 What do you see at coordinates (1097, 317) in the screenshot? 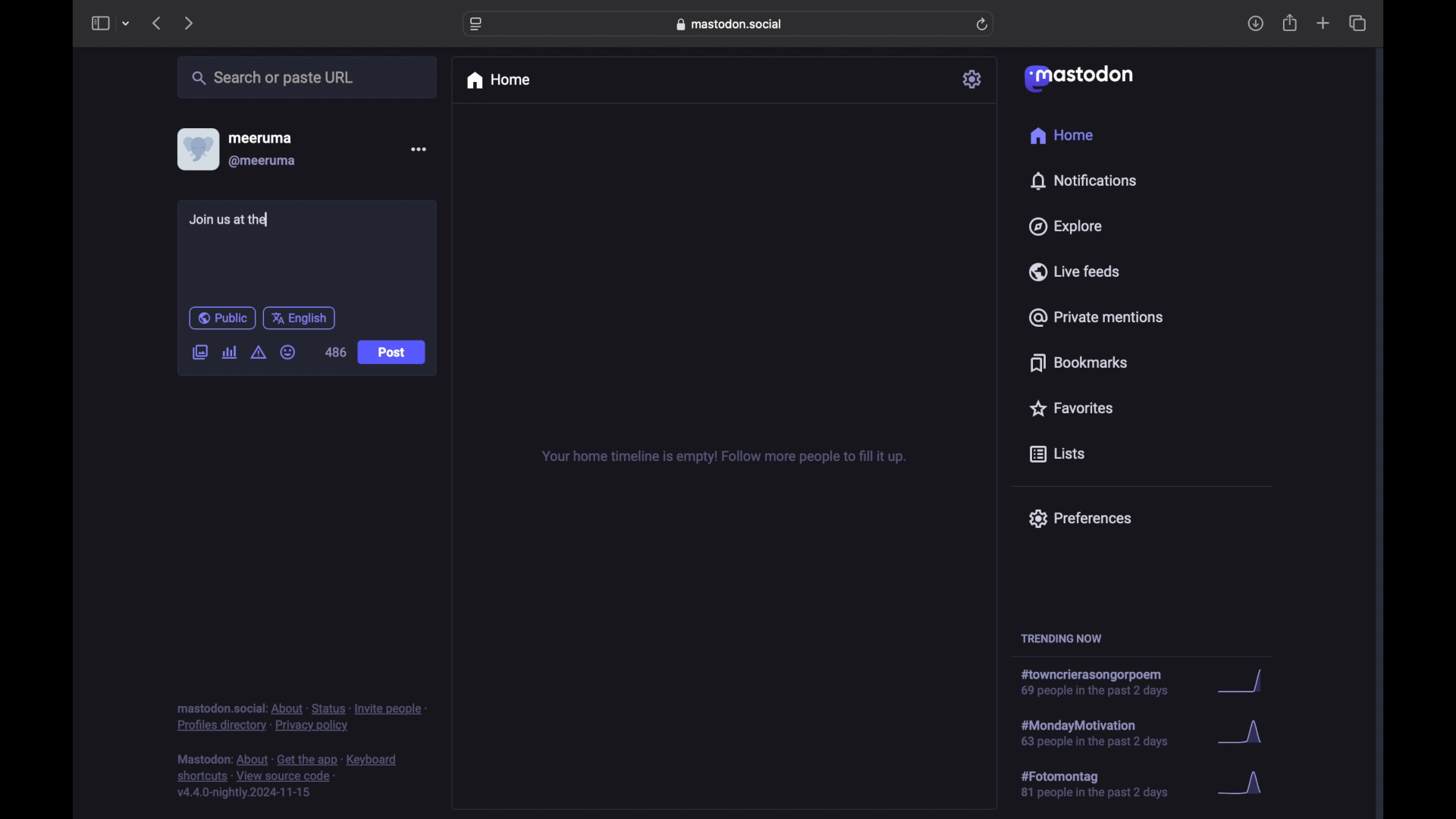
I see `private mentions` at bounding box center [1097, 317].